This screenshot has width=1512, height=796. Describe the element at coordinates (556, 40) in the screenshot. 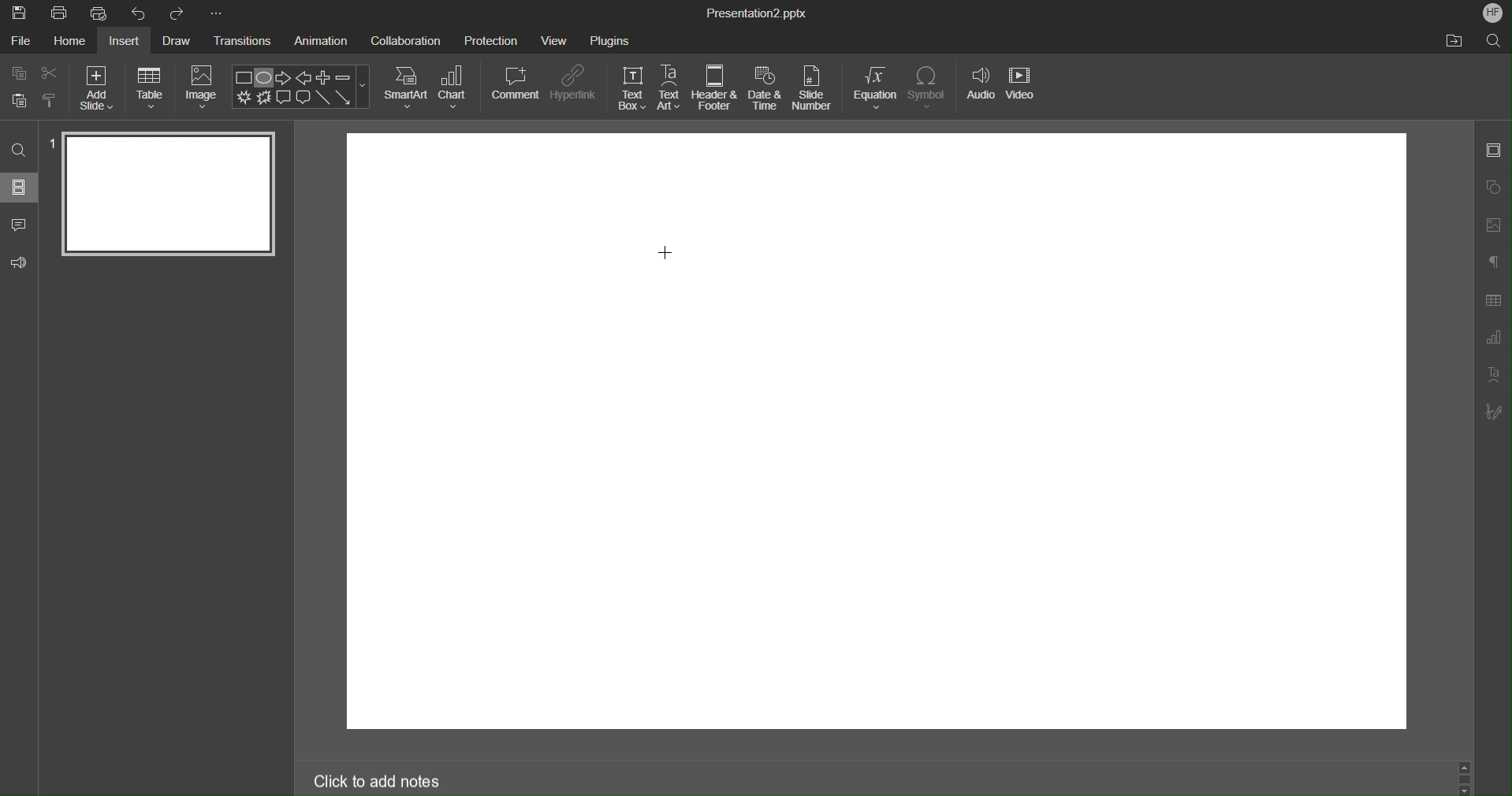

I see `View` at that location.